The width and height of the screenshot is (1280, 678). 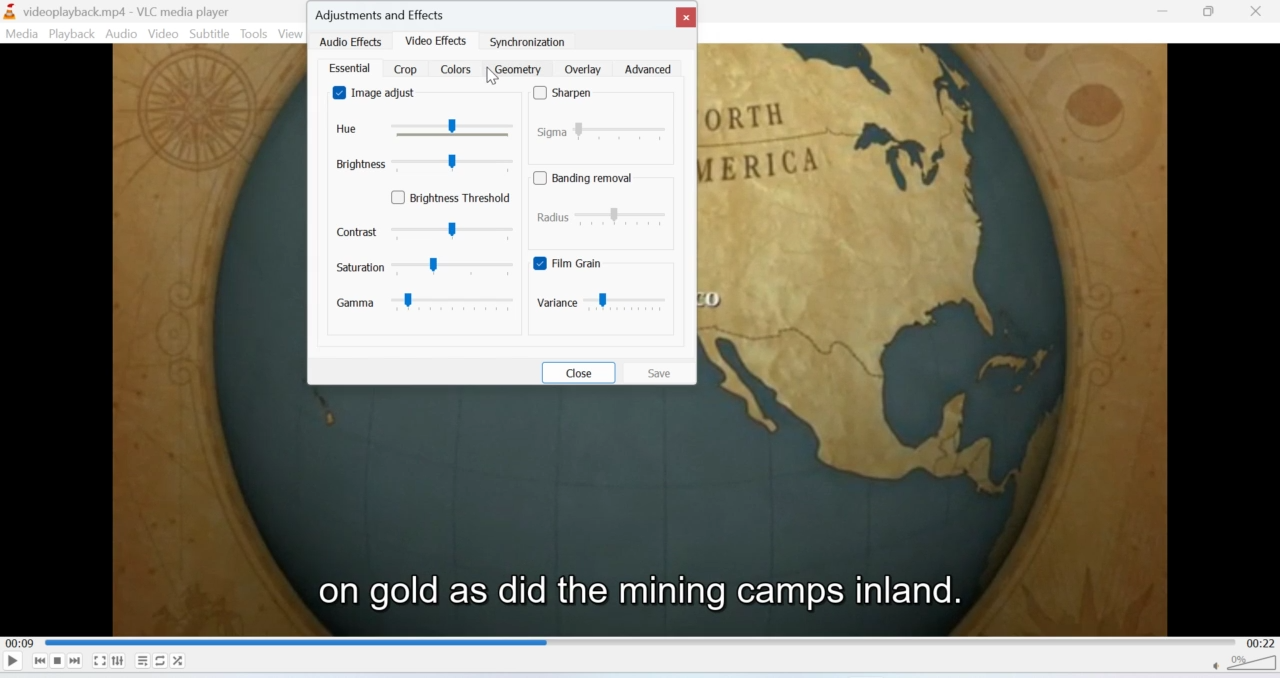 What do you see at coordinates (76, 661) in the screenshot?
I see `Seek forward` at bounding box center [76, 661].